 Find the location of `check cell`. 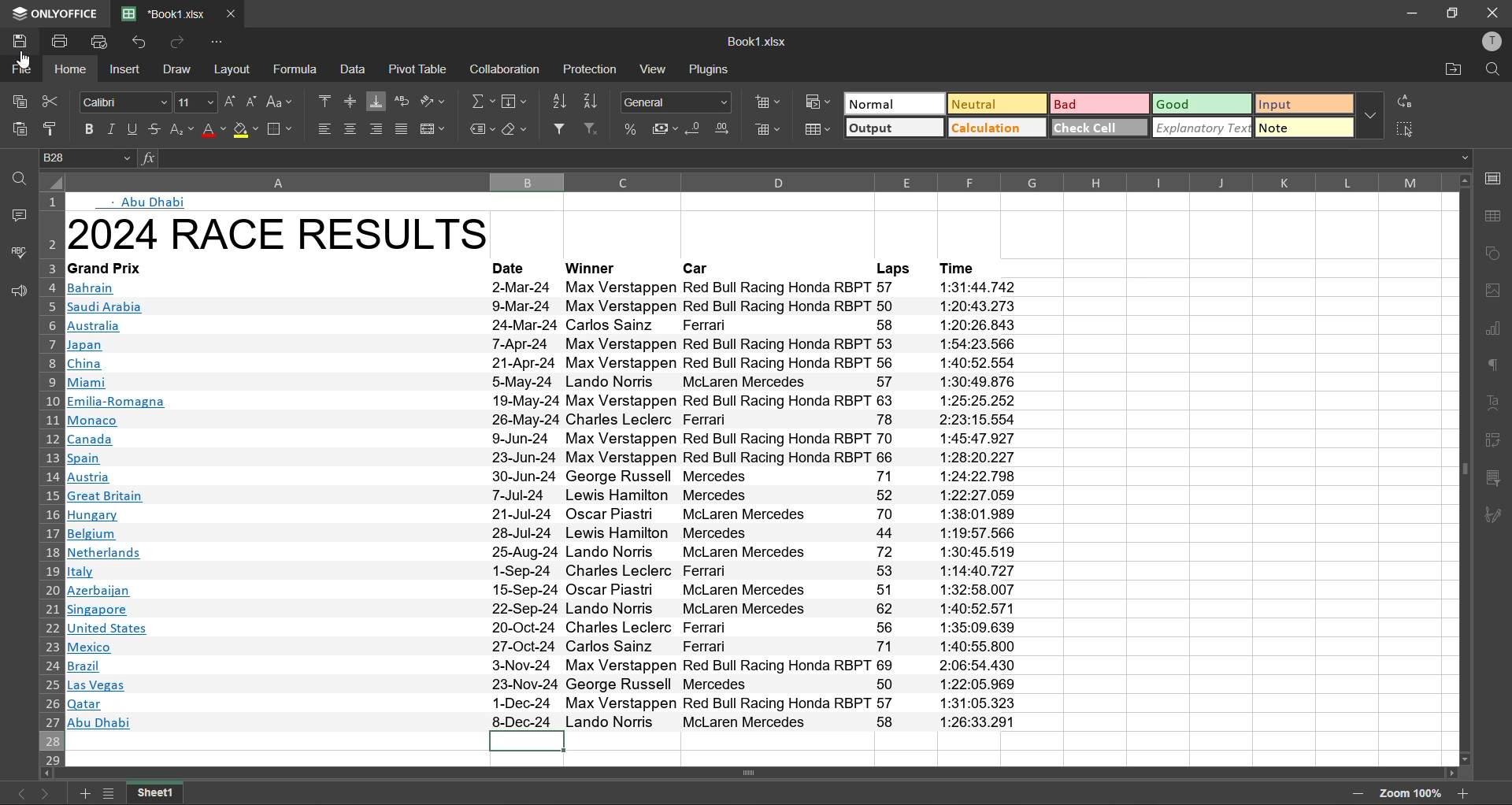

check cell is located at coordinates (1101, 127).